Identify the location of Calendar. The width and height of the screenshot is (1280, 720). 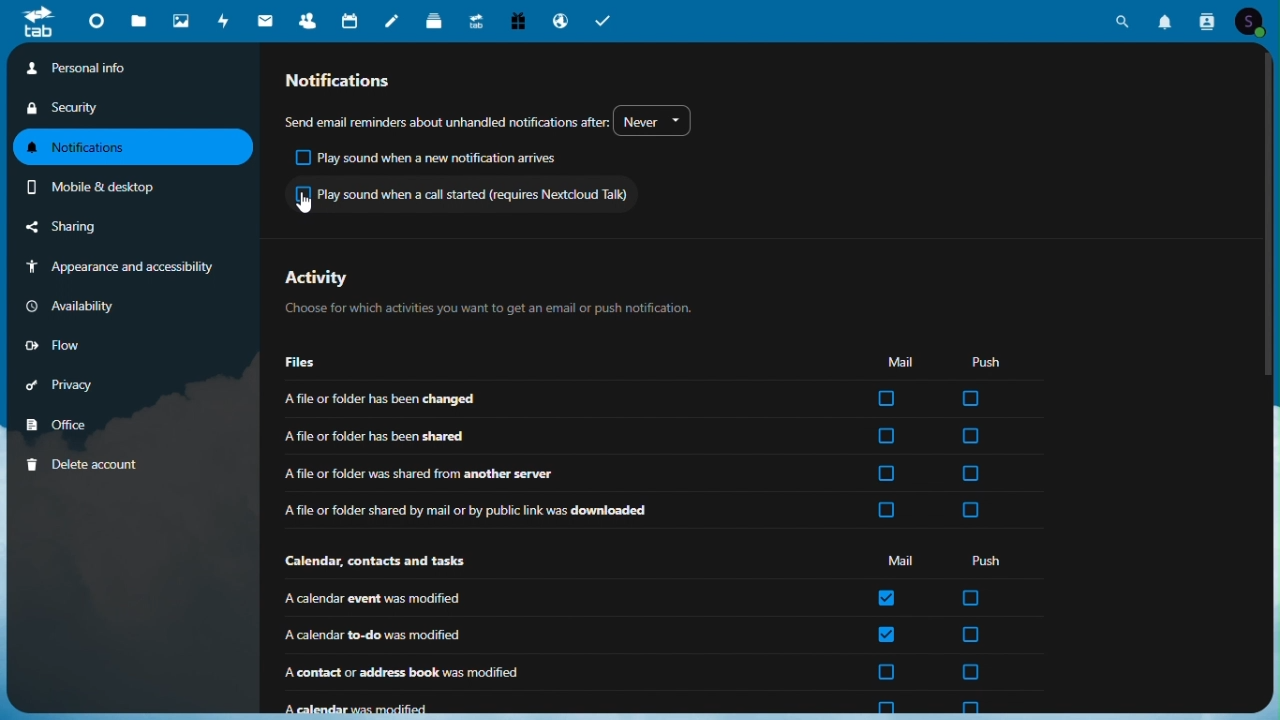
(353, 19).